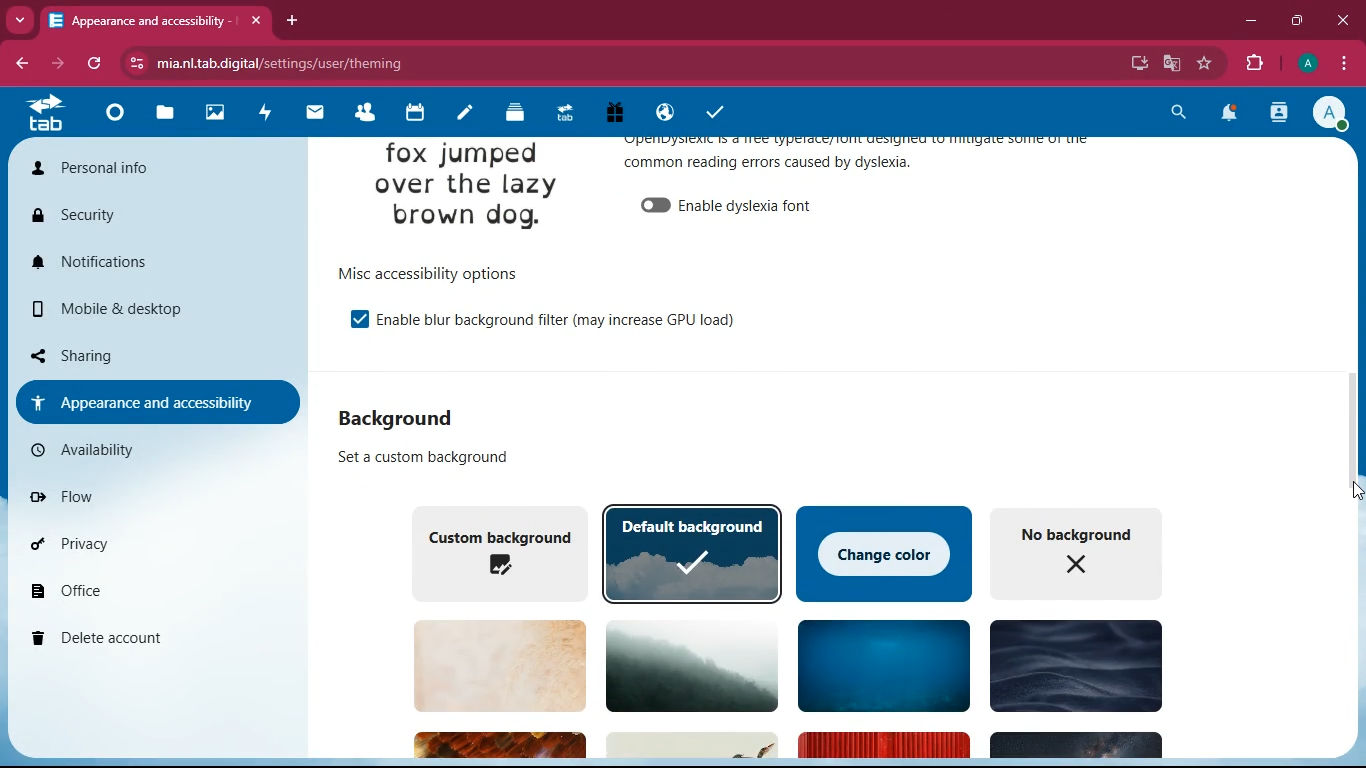 The height and width of the screenshot is (768, 1366). What do you see at coordinates (154, 502) in the screenshot?
I see `flow` at bounding box center [154, 502].